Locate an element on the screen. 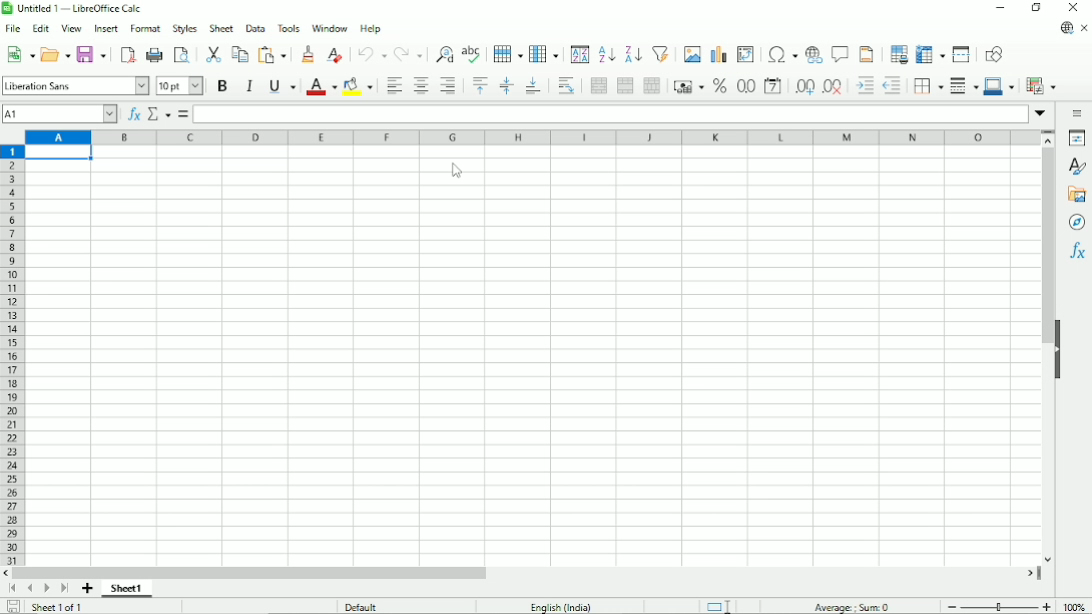  Italic is located at coordinates (249, 86).